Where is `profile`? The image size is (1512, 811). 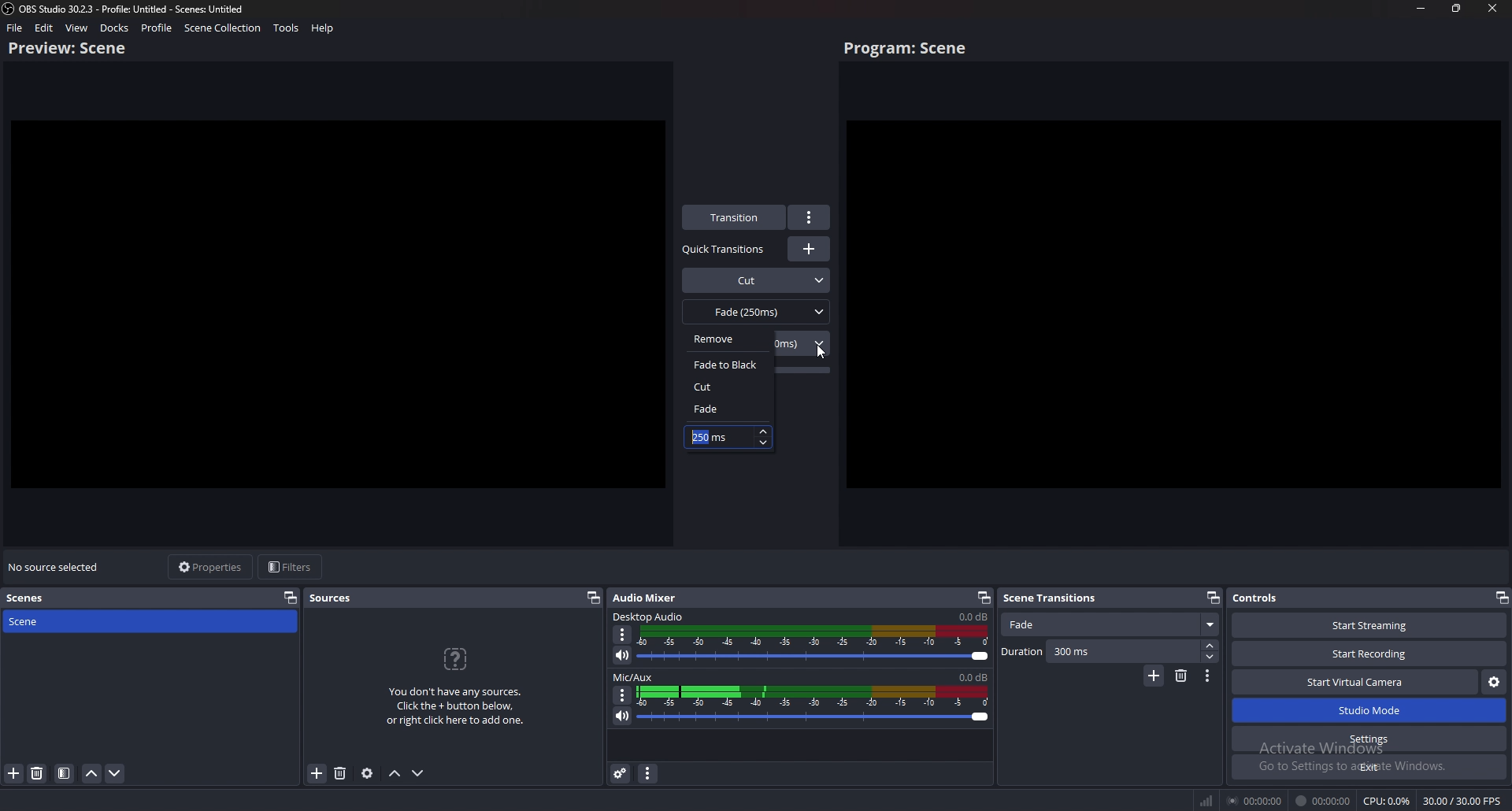
profile is located at coordinates (158, 28).